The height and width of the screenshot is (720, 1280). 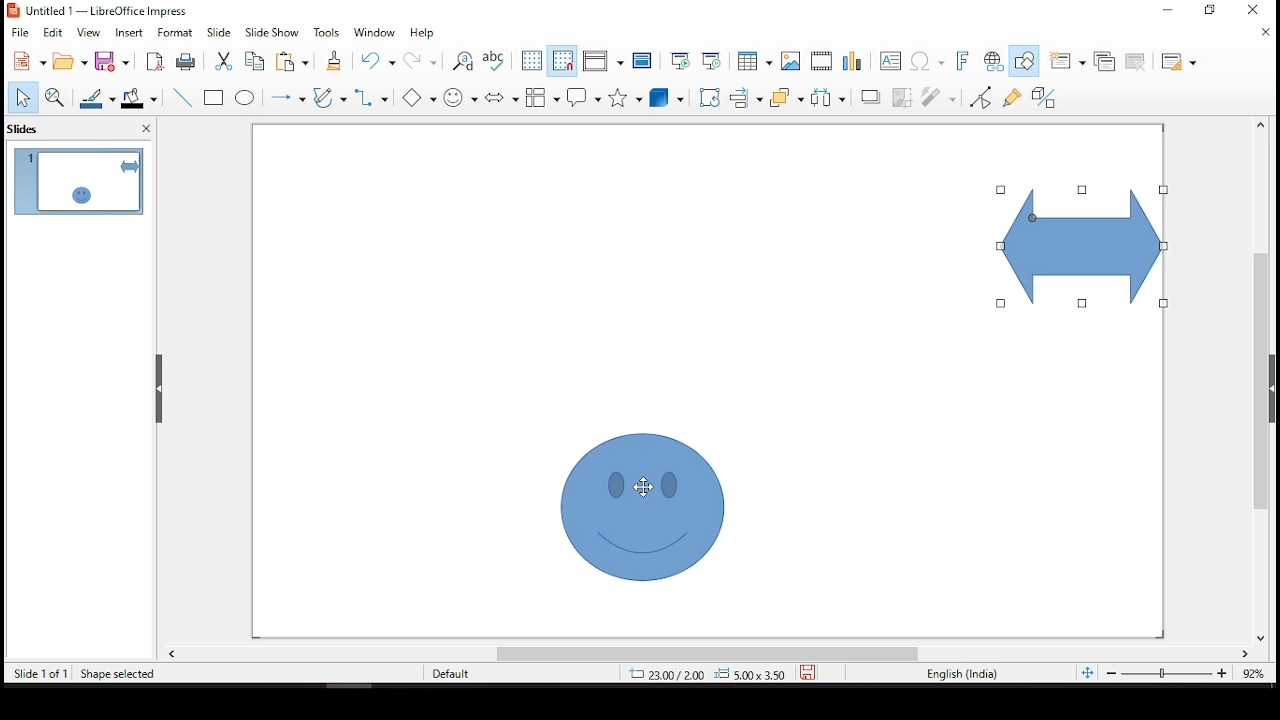 What do you see at coordinates (1180, 62) in the screenshot?
I see `slide layout` at bounding box center [1180, 62].